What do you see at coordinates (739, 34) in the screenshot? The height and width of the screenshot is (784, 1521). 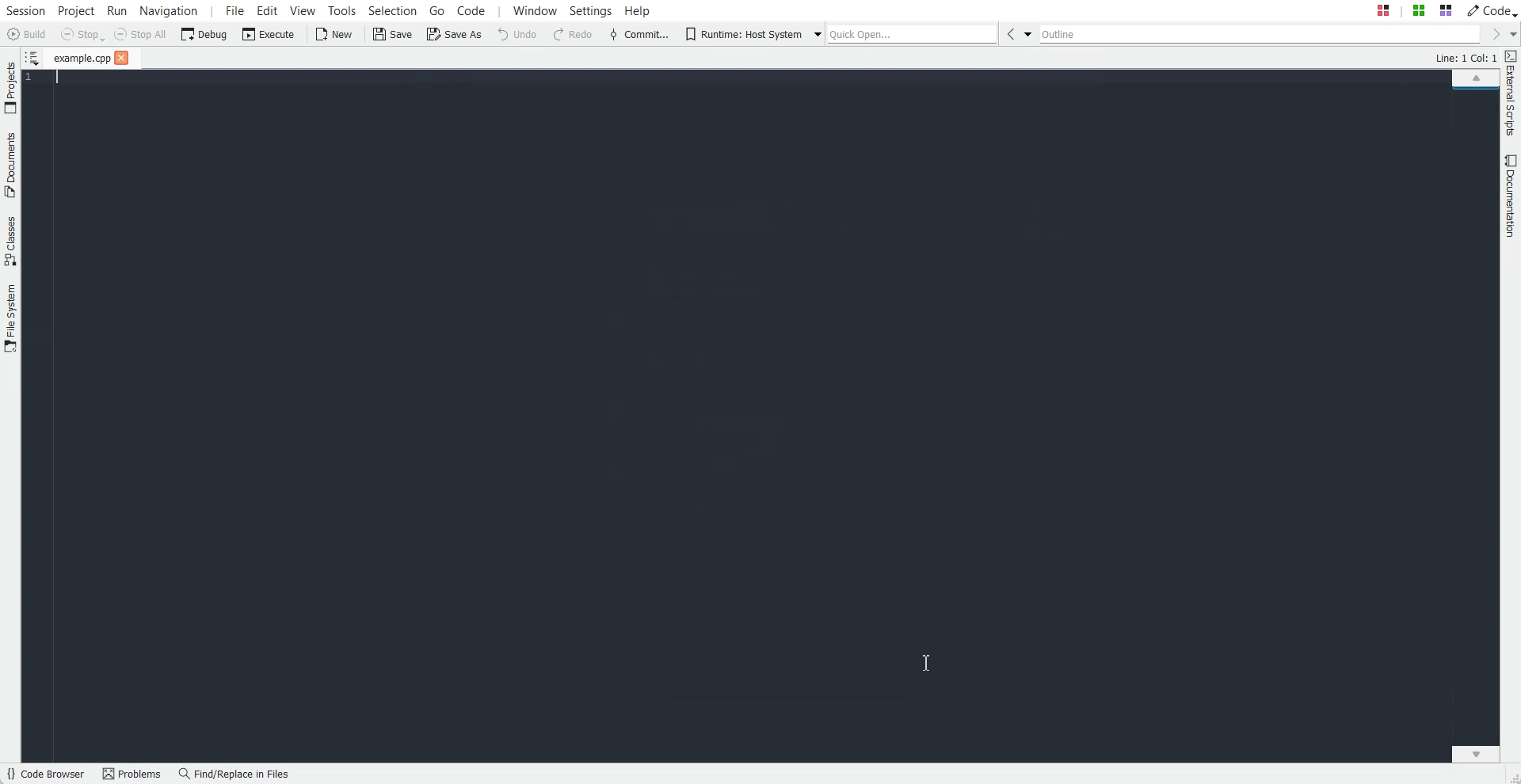 I see `Runtime: Host System` at bounding box center [739, 34].